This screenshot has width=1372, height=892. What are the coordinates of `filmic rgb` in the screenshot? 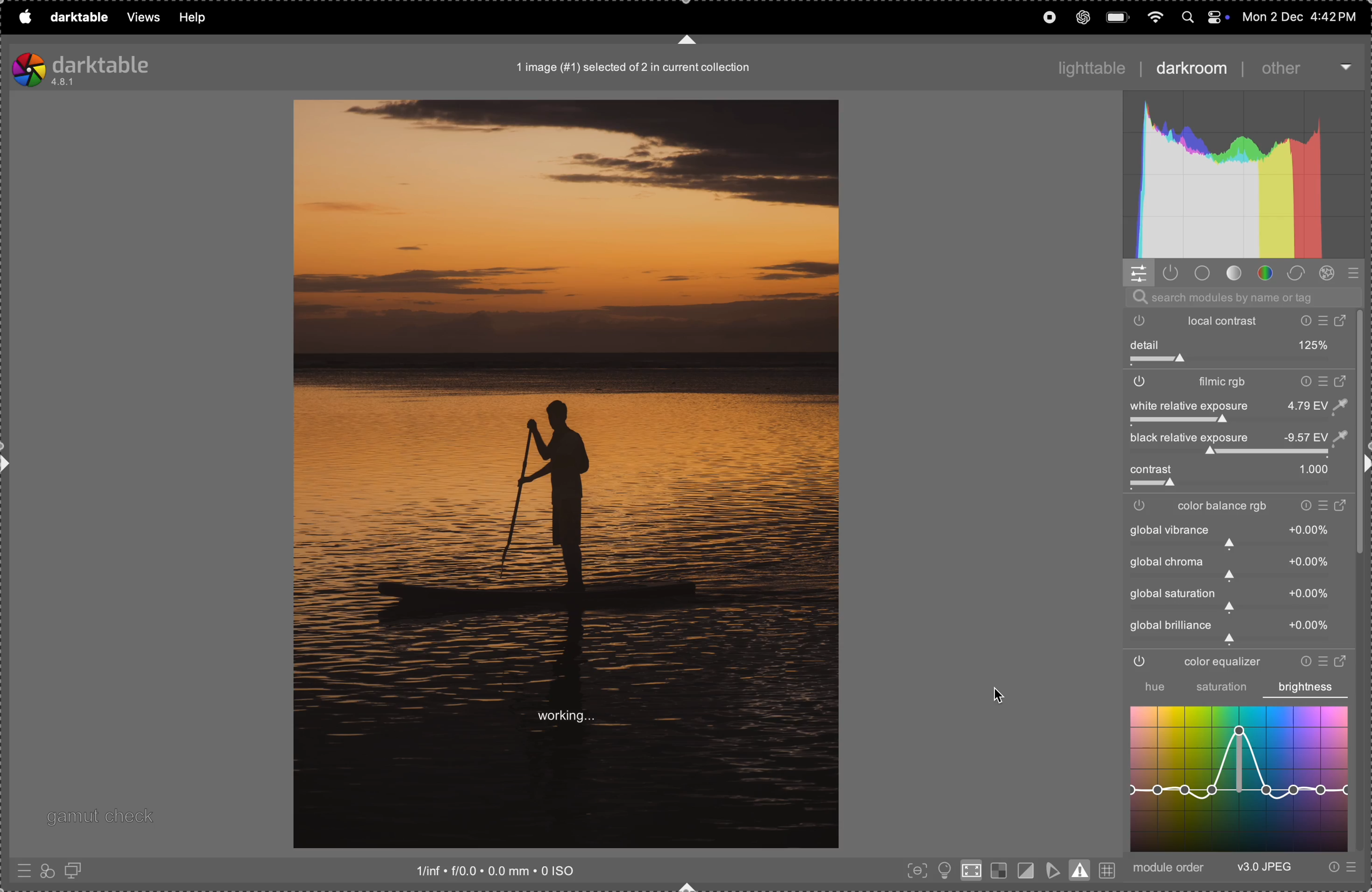 It's located at (1238, 383).